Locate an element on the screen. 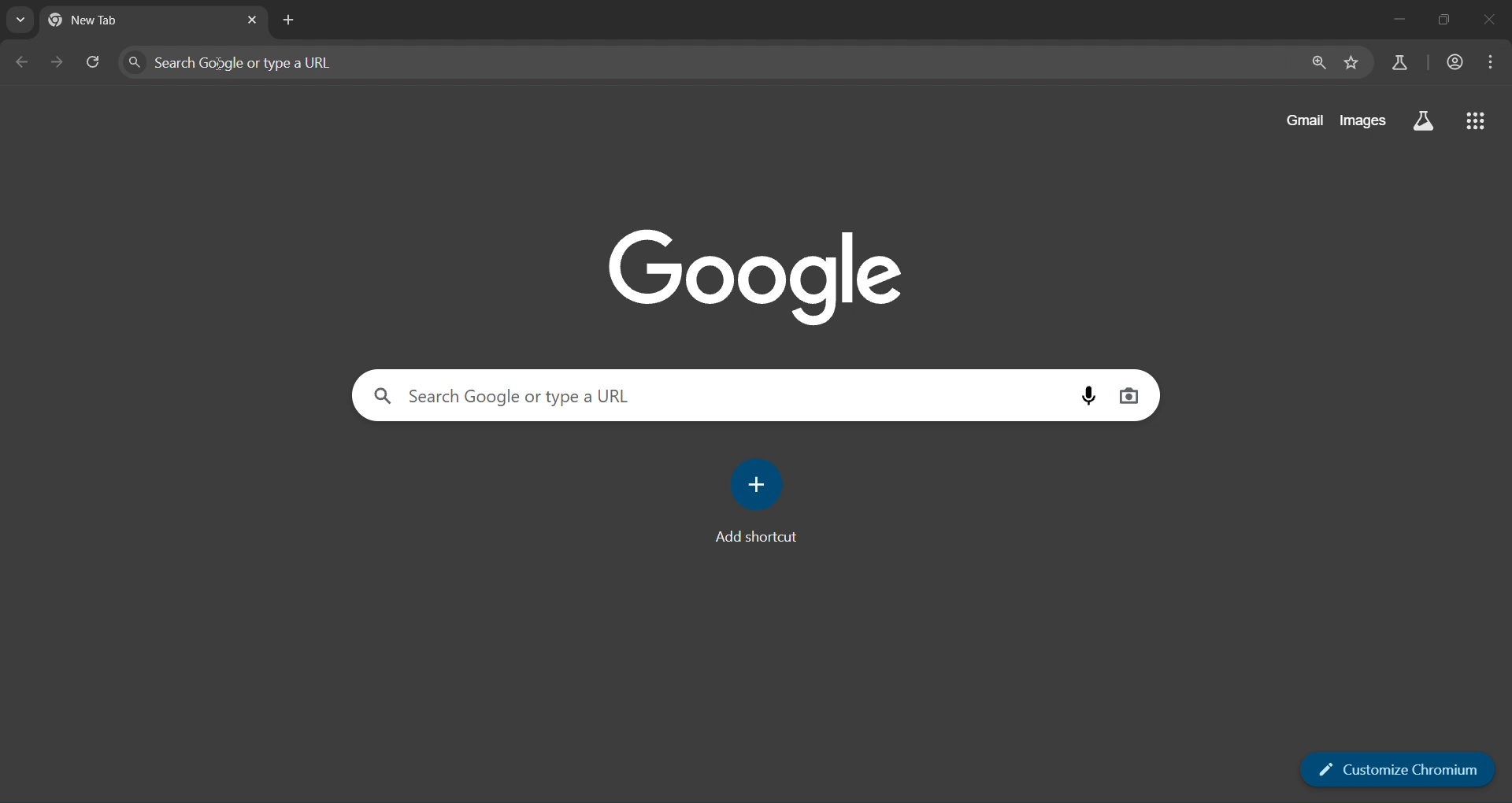  reload page is located at coordinates (95, 62).